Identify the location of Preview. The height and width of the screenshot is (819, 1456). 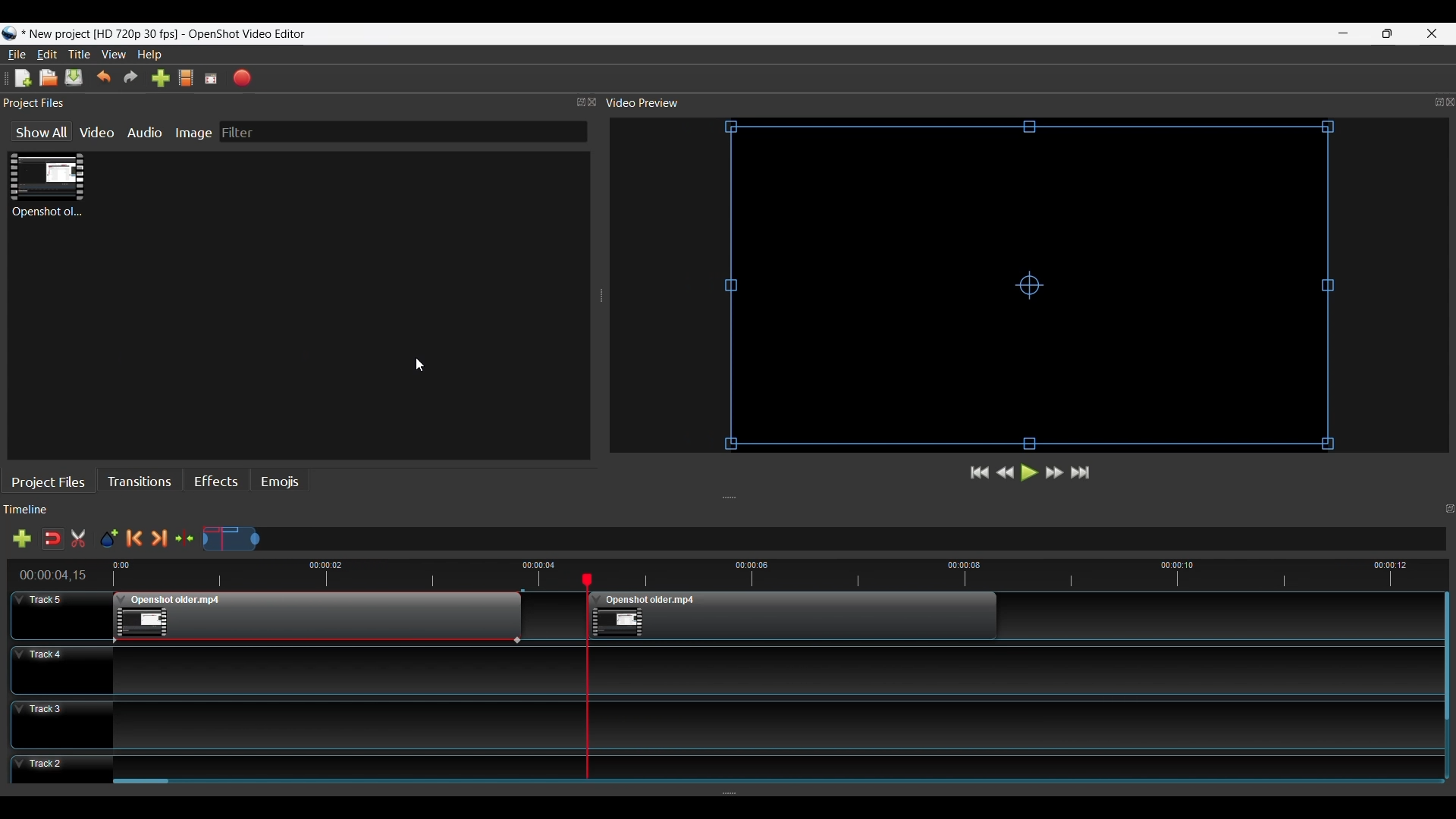
(1006, 474).